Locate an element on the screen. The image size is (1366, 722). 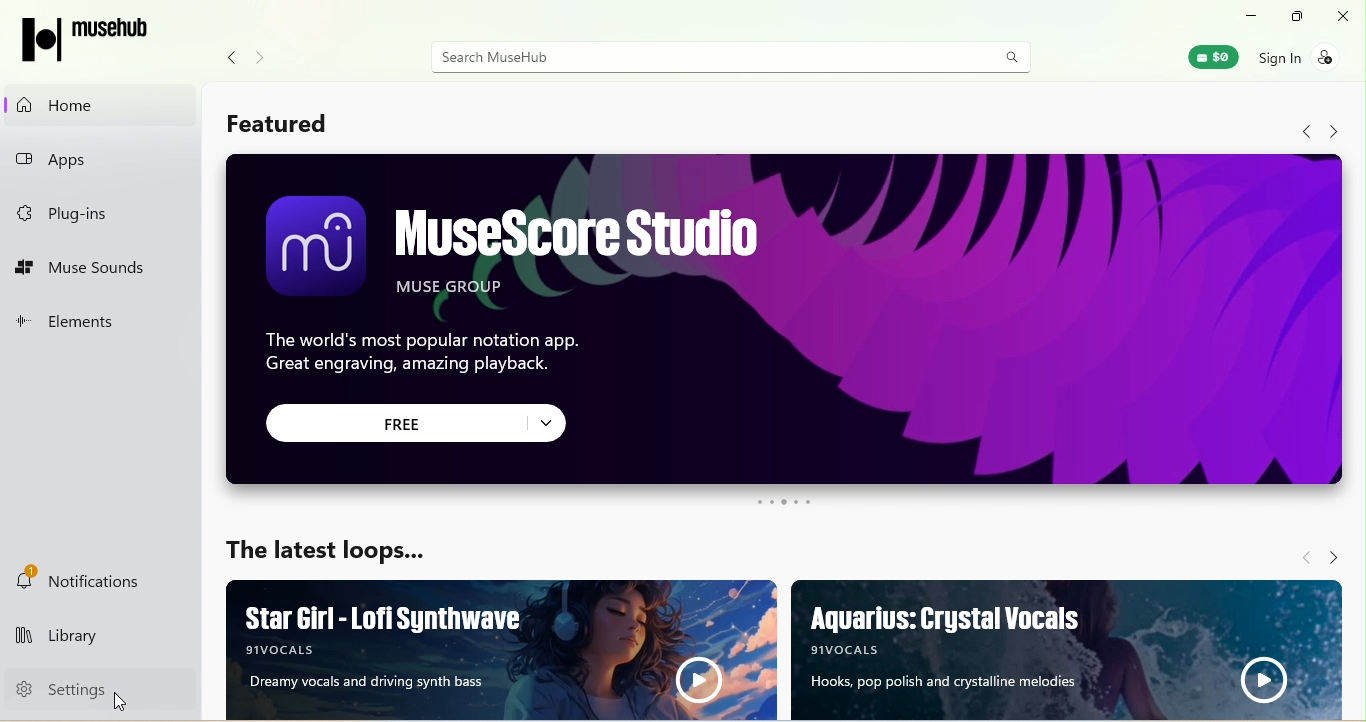
Play is located at coordinates (696, 680).